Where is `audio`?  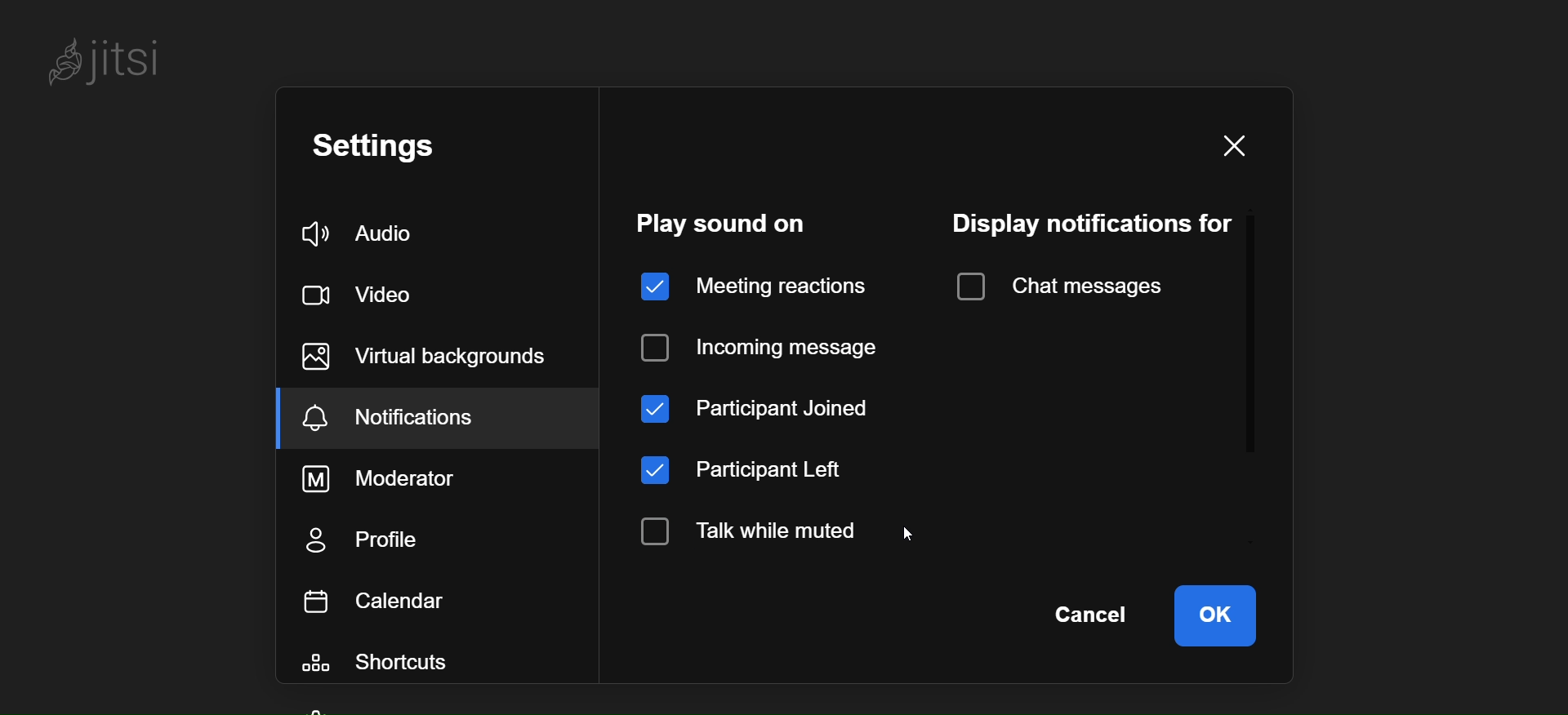 audio is located at coordinates (363, 230).